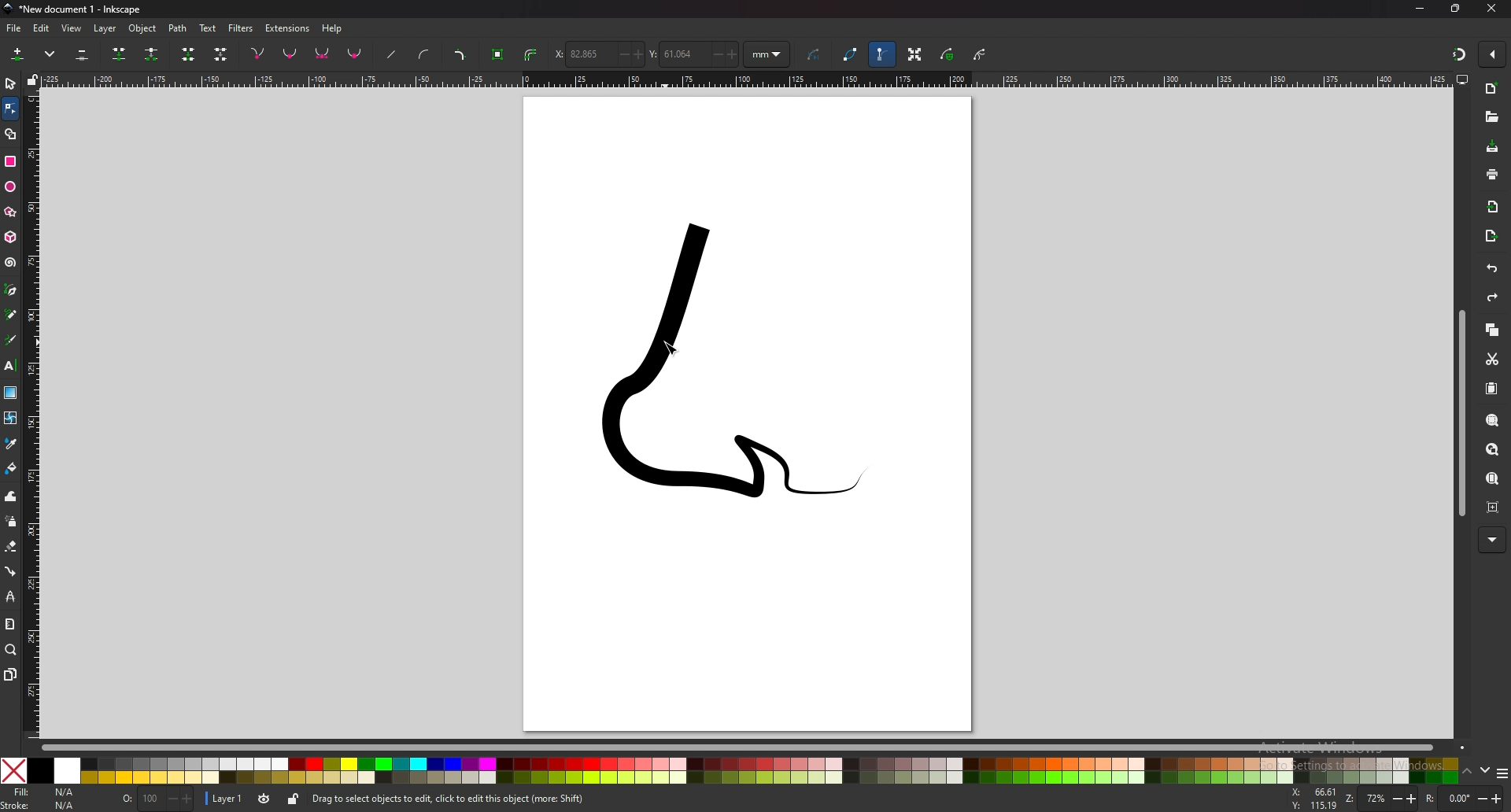  I want to click on add corners lpe, so click(460, 56).